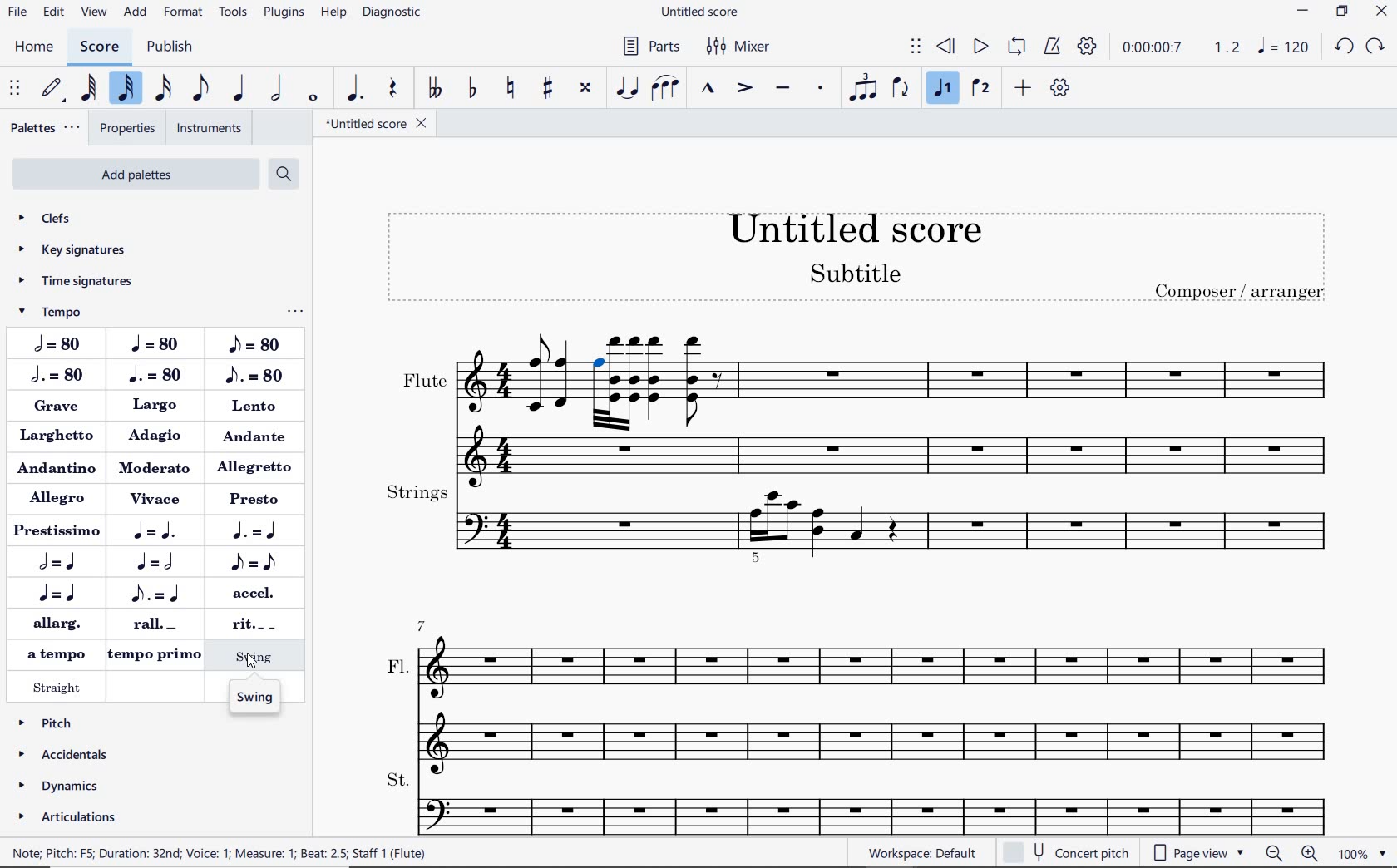 The image size is (1397, 868). I want to click on RALL., so click(158, 625).